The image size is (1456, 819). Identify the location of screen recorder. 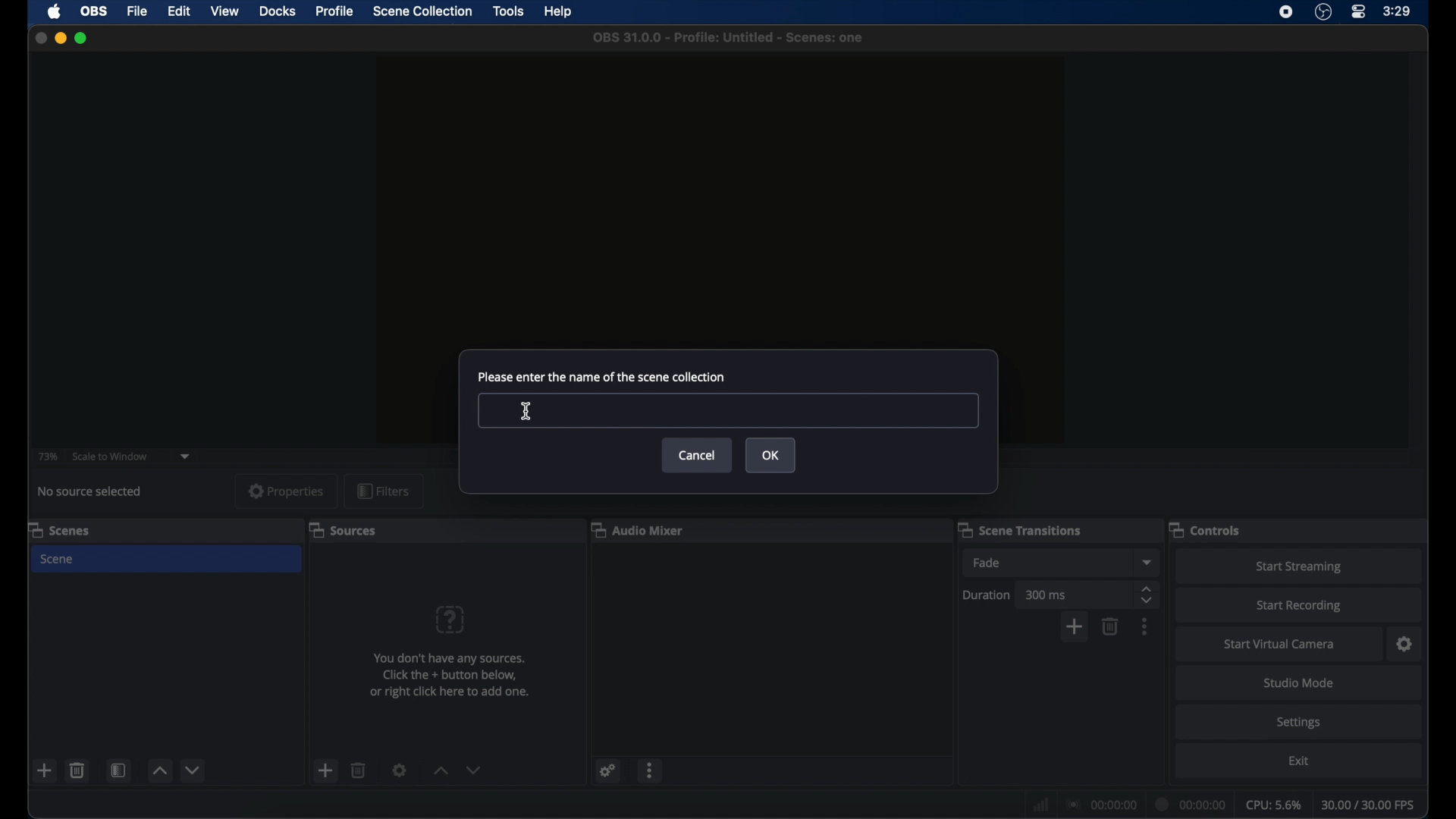
(1286, 12).